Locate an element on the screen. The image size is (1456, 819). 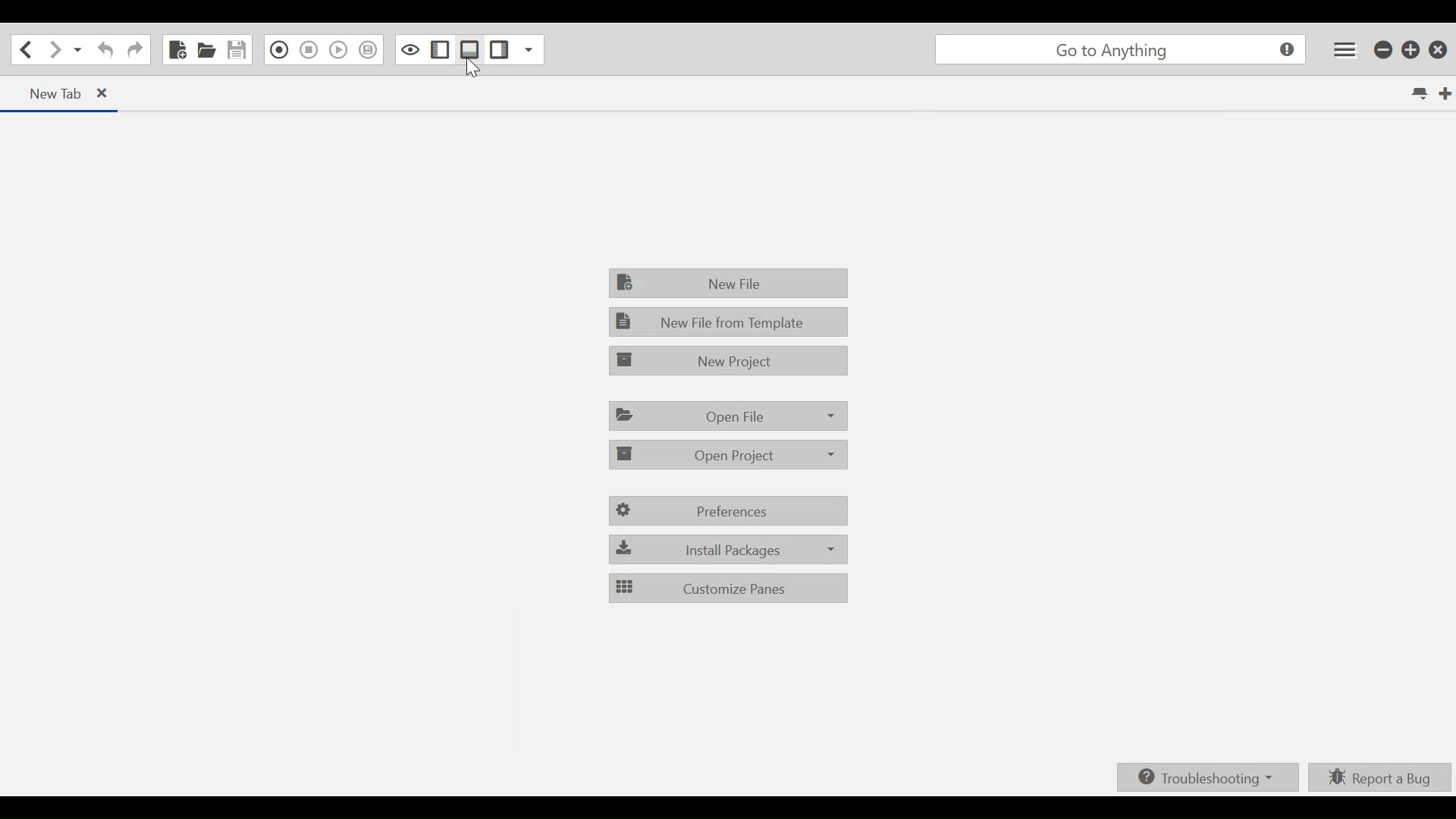
Search is located at coordinates (1122, 48).